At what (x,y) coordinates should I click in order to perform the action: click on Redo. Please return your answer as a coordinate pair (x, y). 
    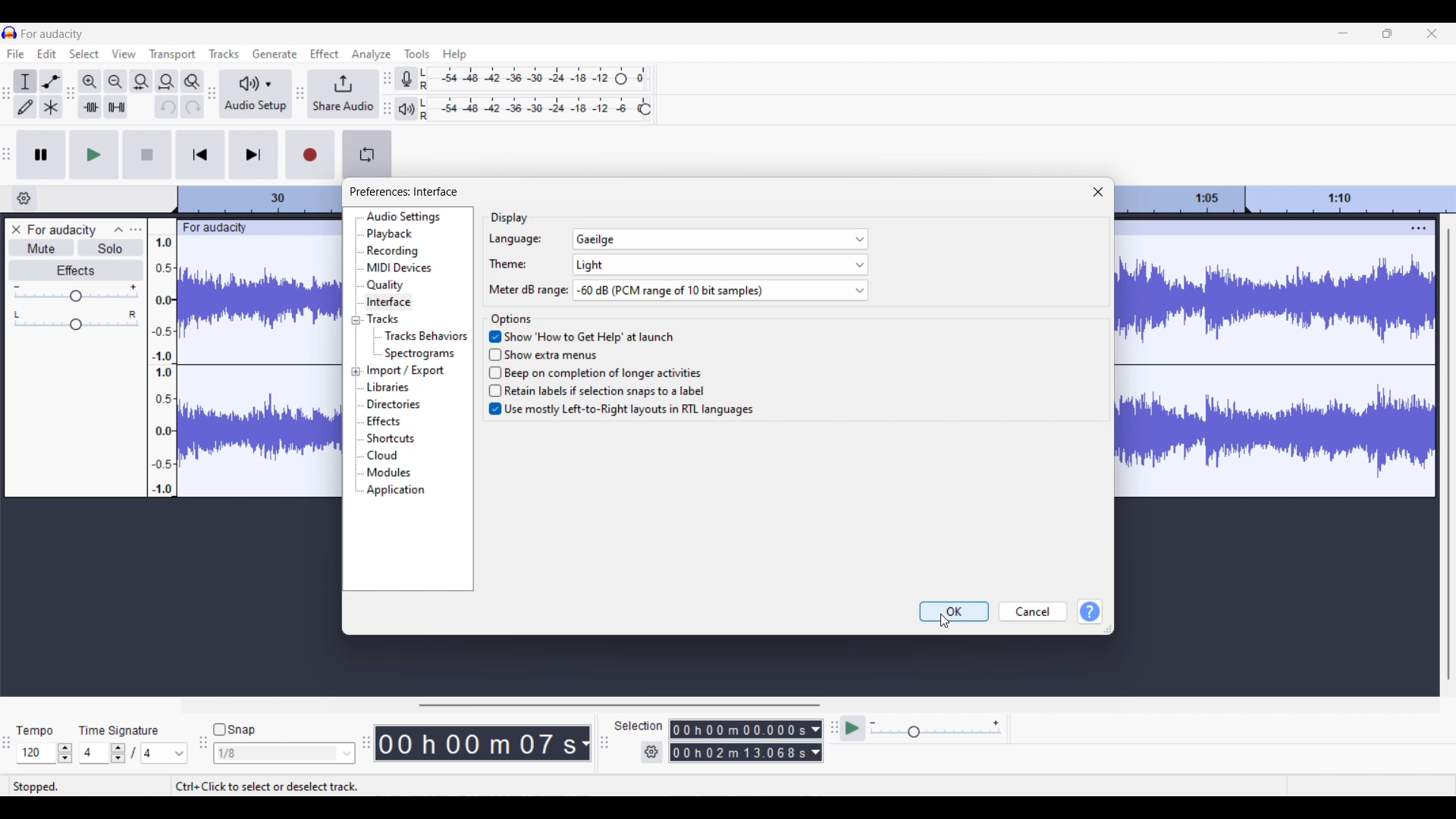
    Looking at the image, I should click on (193, 106).